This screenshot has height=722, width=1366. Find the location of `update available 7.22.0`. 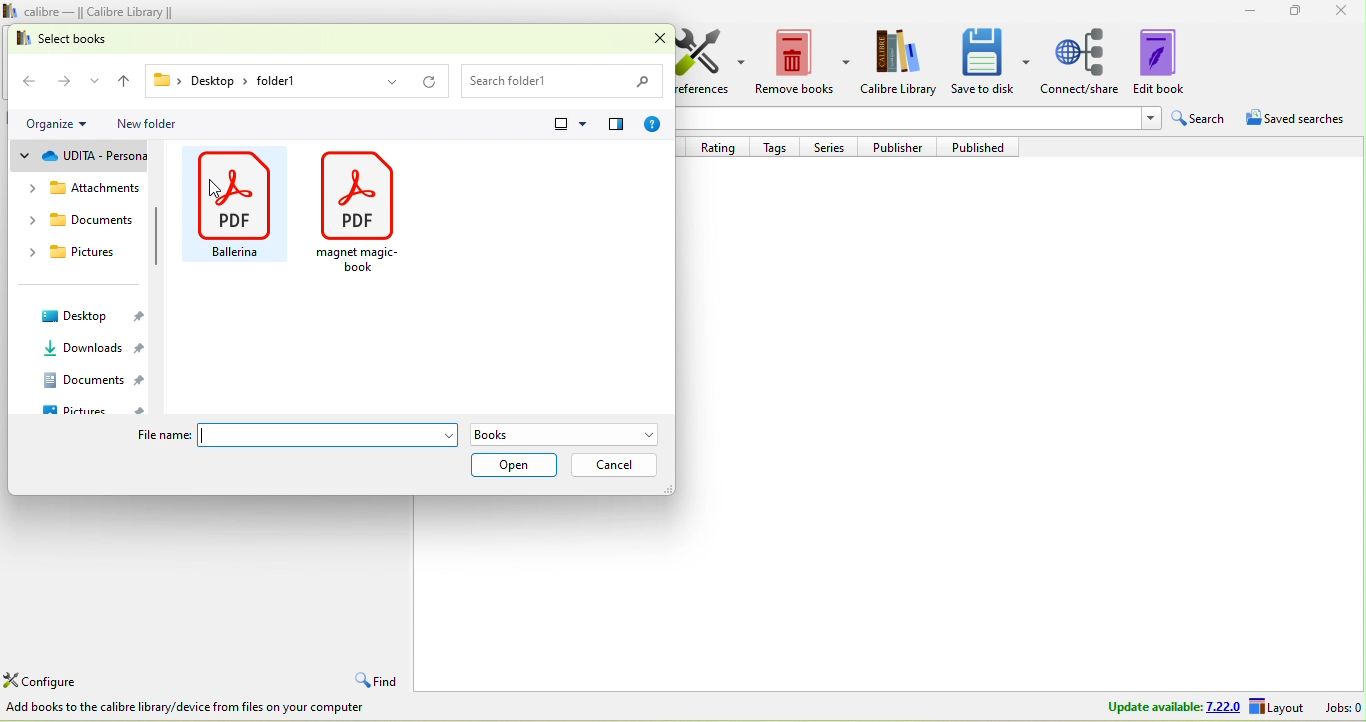

update available 7.22.0 is located at coordinates (1171, 707).